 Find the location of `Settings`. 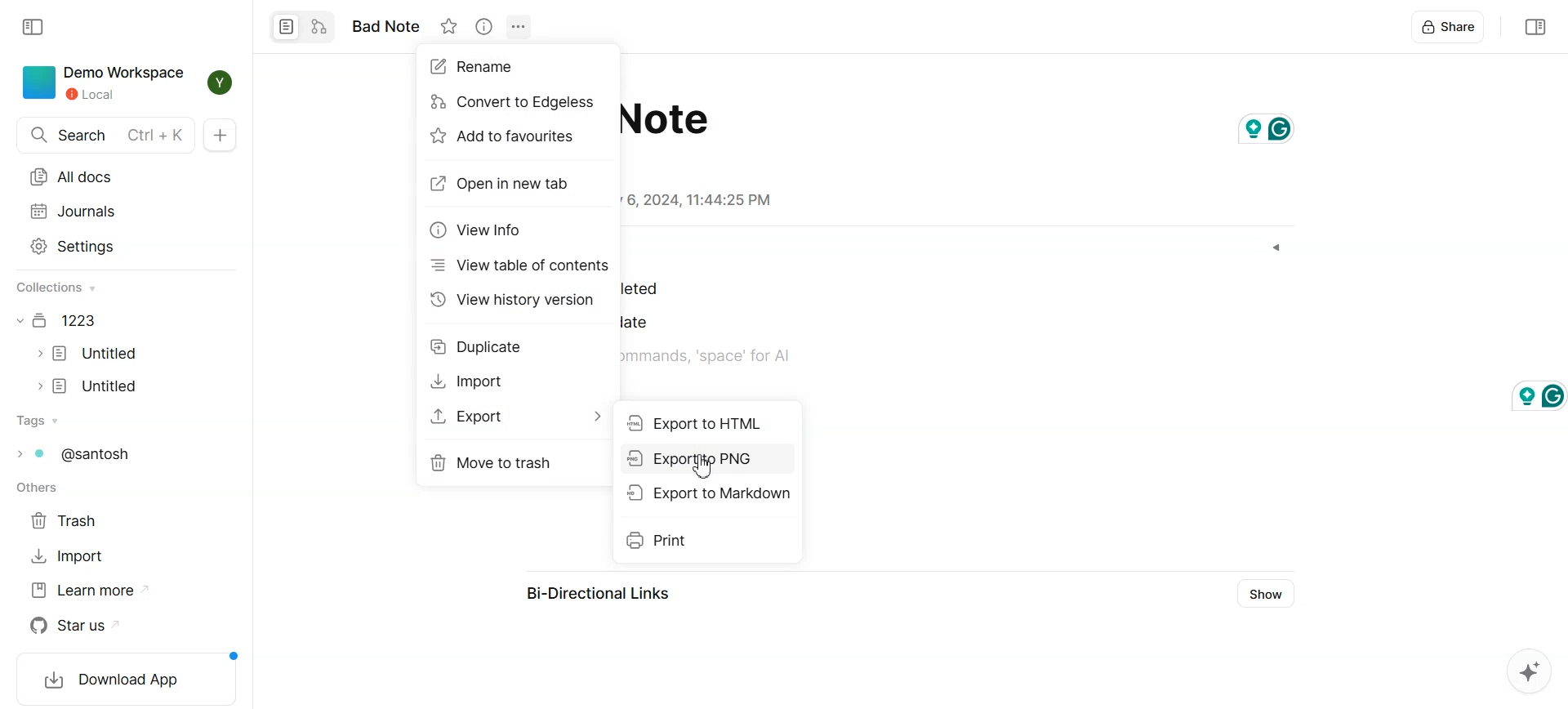

Settings is located at coordinates (104, 247).